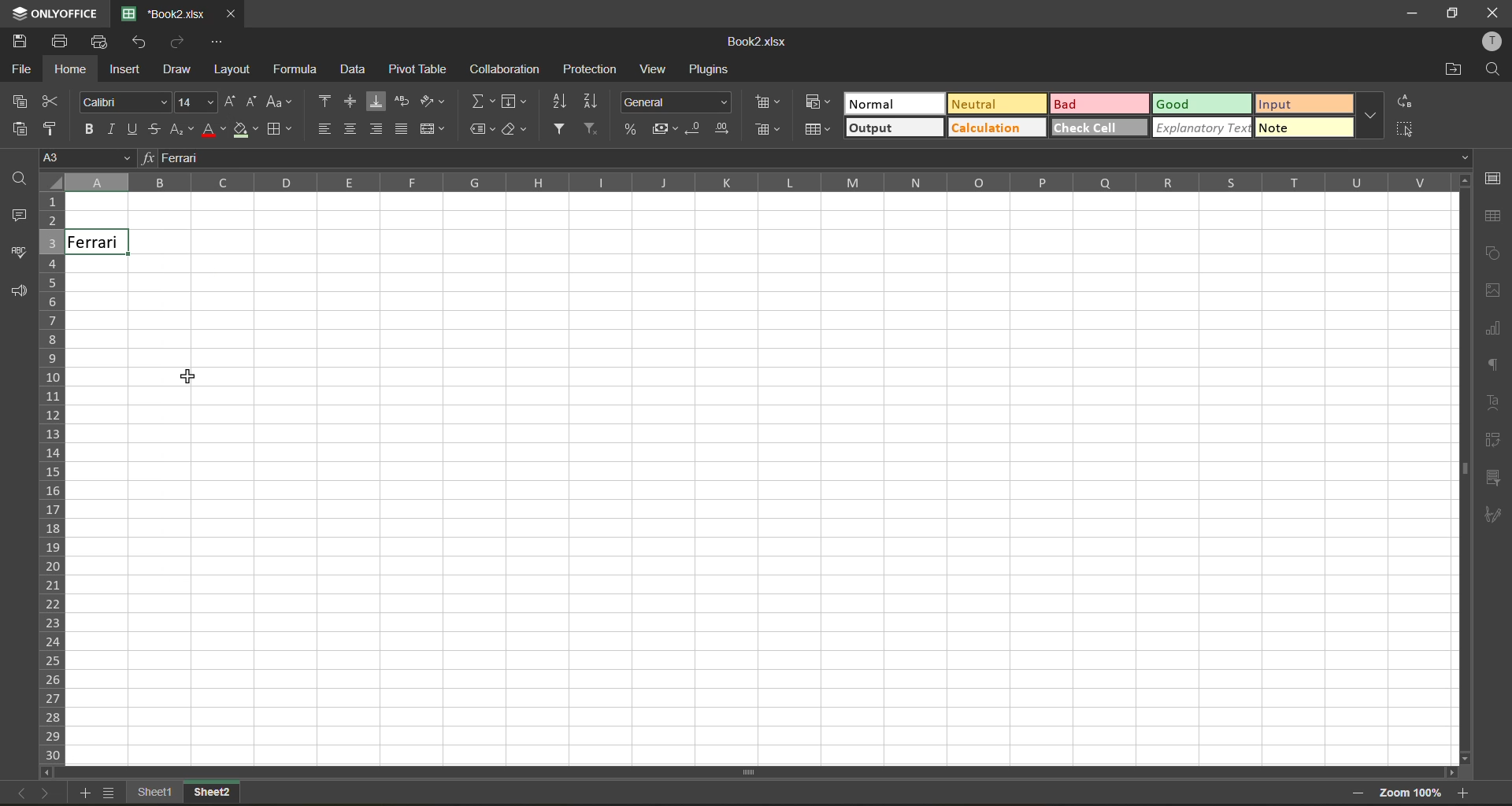 The height and width of the screenshot is (806, 1512). Describe the element at coordinates (993, 128) in the screenshot. I see `calculation` at that location.